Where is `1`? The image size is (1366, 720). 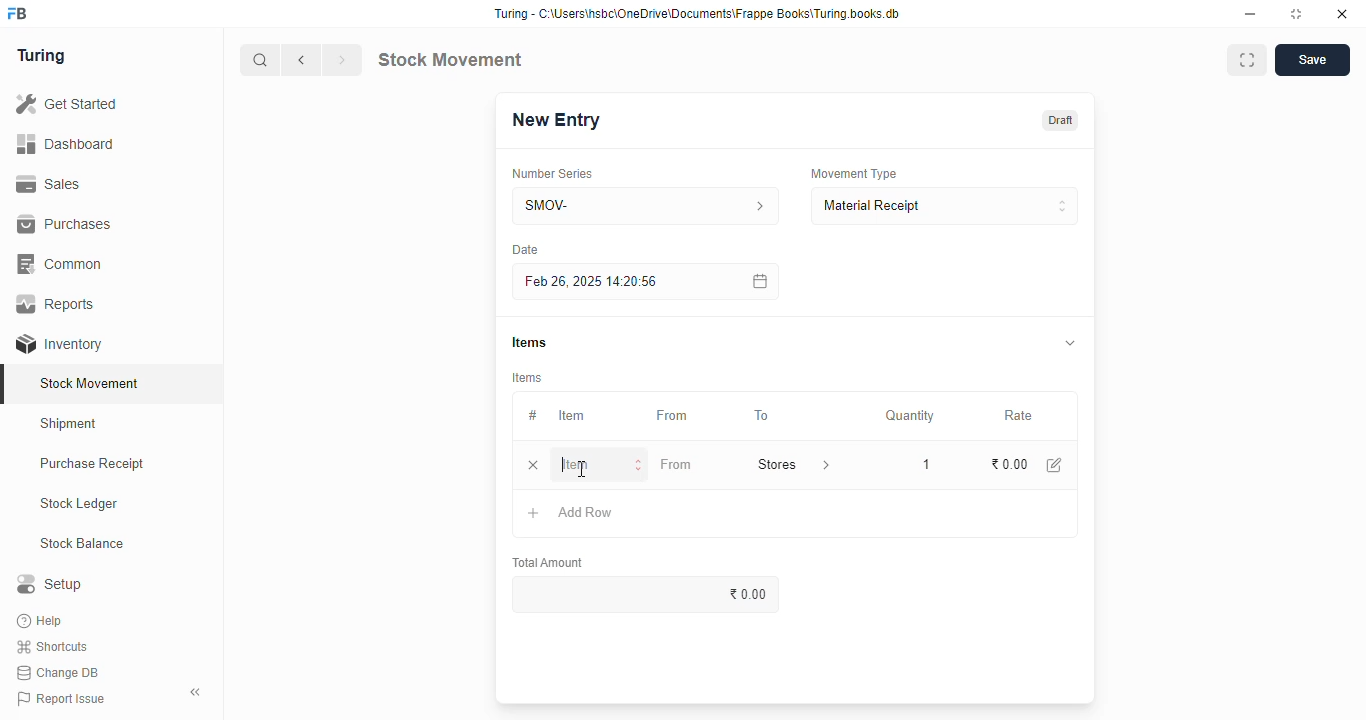 1 is located at coordinates (922, 463).